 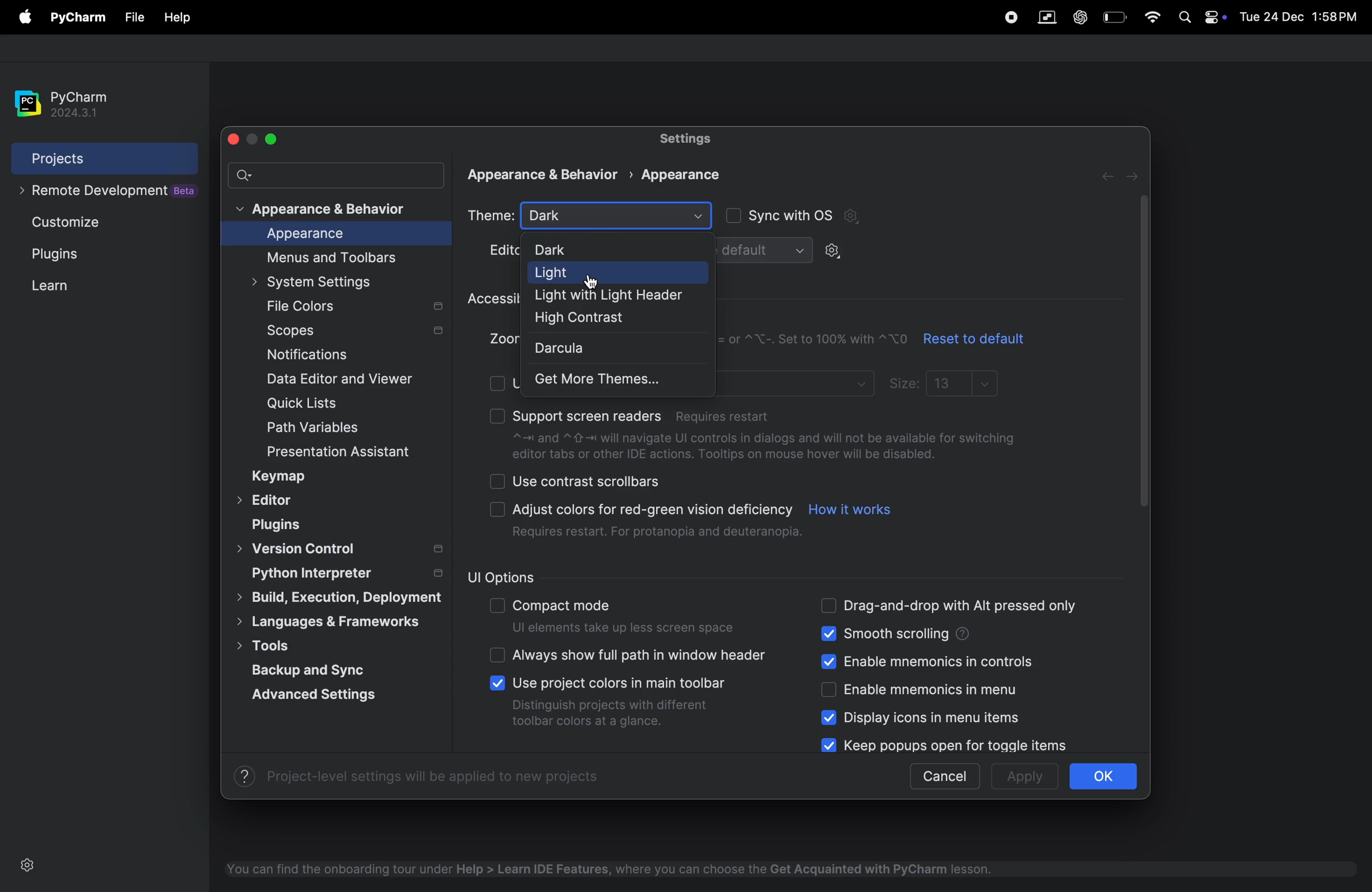 What do you see at coordinates (856, 512) in the screenshot?
I see `how it works` at bounding box center [856, 512].